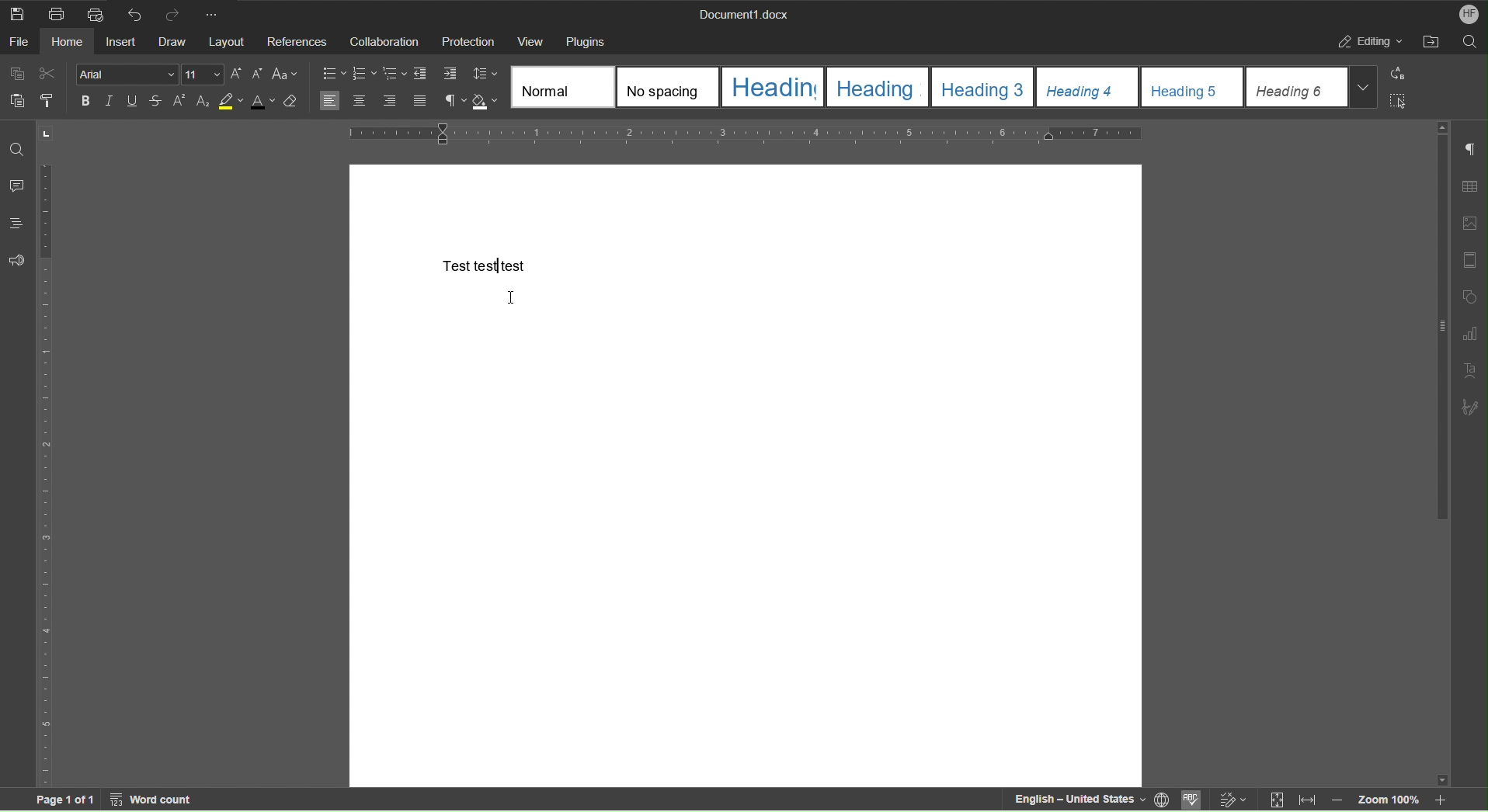 The width and height of the screenshot is (1488, 812). Describe the element at coordinates (1275, 800) in the screenshot. I see `Fit to Screen` at that location.